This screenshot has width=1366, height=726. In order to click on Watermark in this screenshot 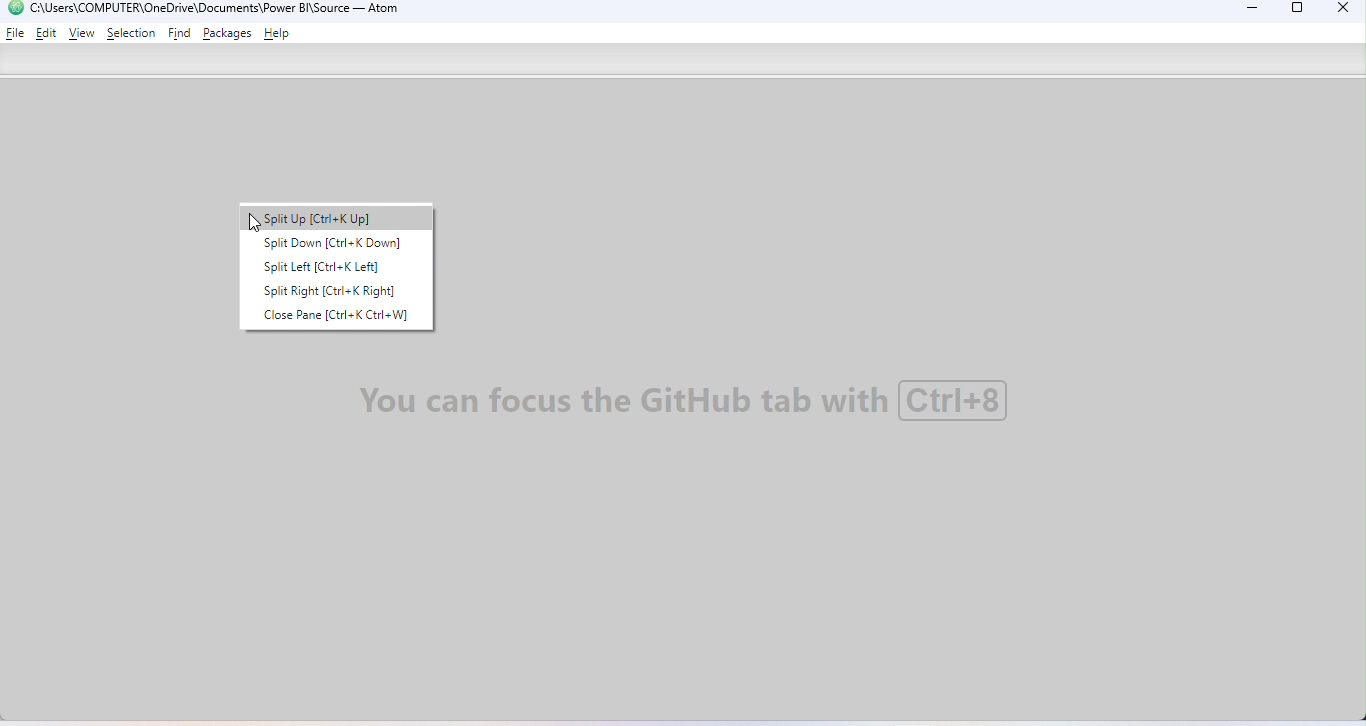, I will do `click(688, 402)`.